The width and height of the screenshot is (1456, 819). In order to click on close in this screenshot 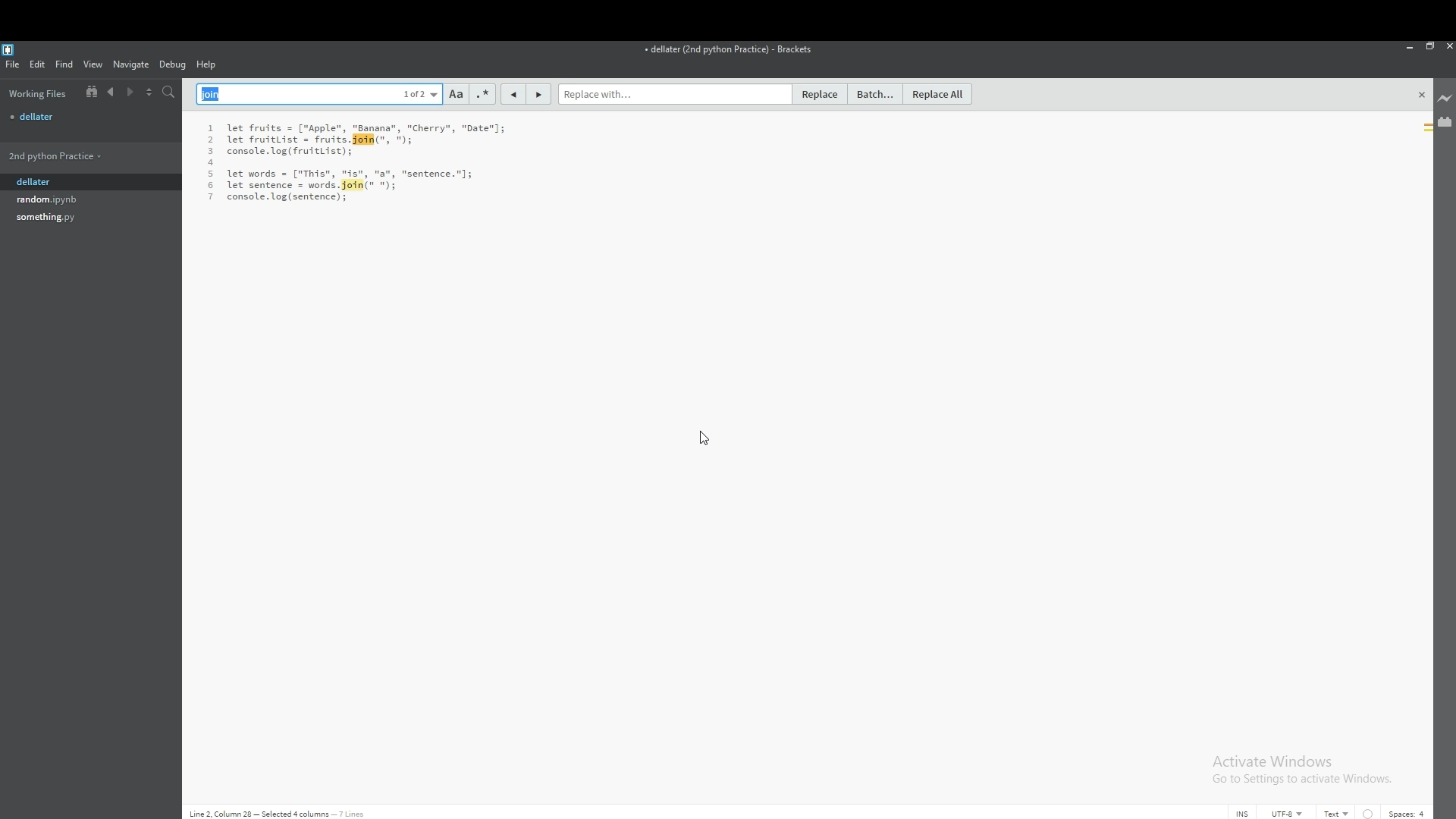, I will do `click(1447, 46)`.